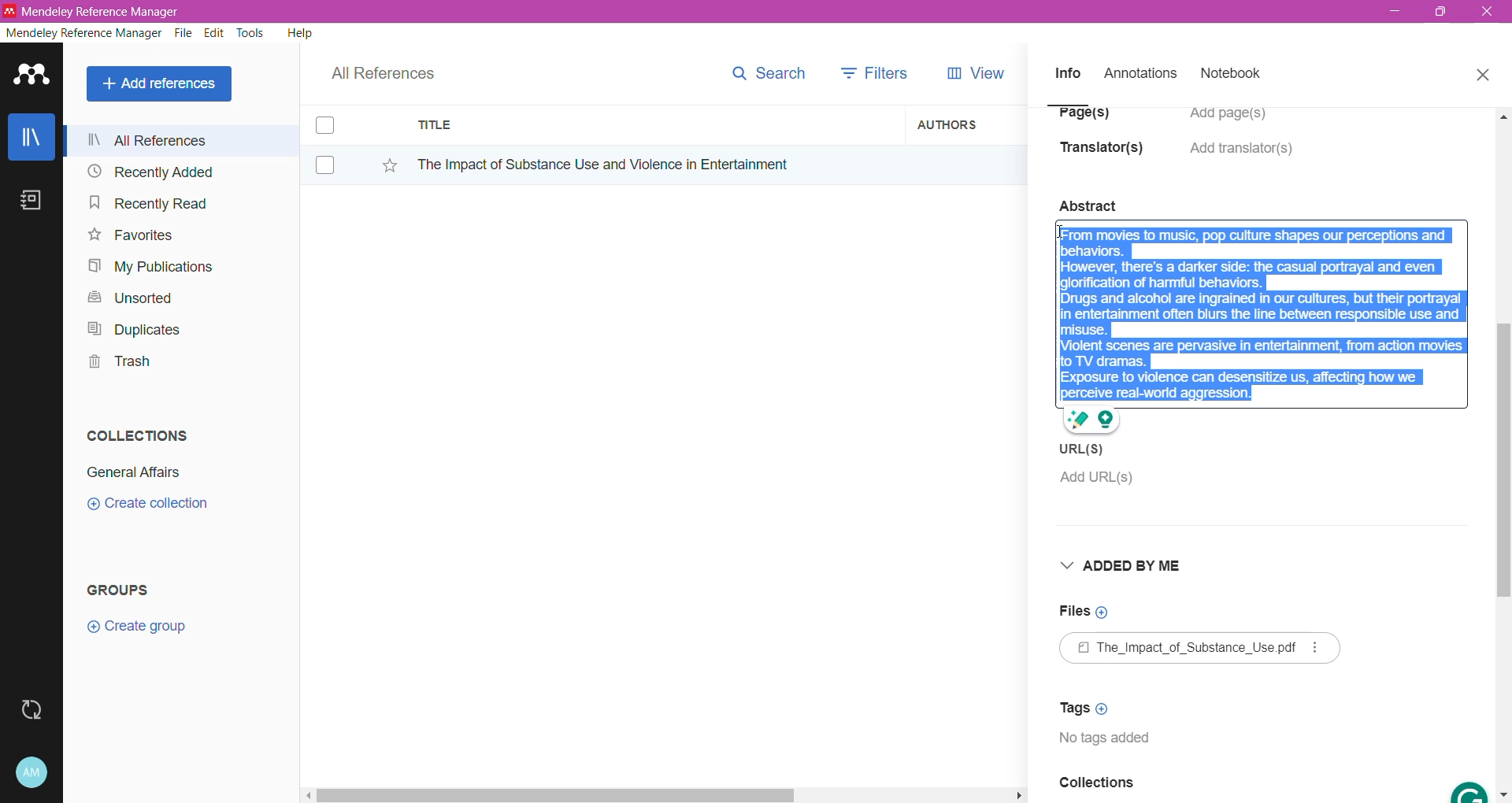 Image resolution: width=1512 pixels, height=803 pixels. Describe the element at coordinates (35, 202) in the screenshot. I see `Notes` at that location.